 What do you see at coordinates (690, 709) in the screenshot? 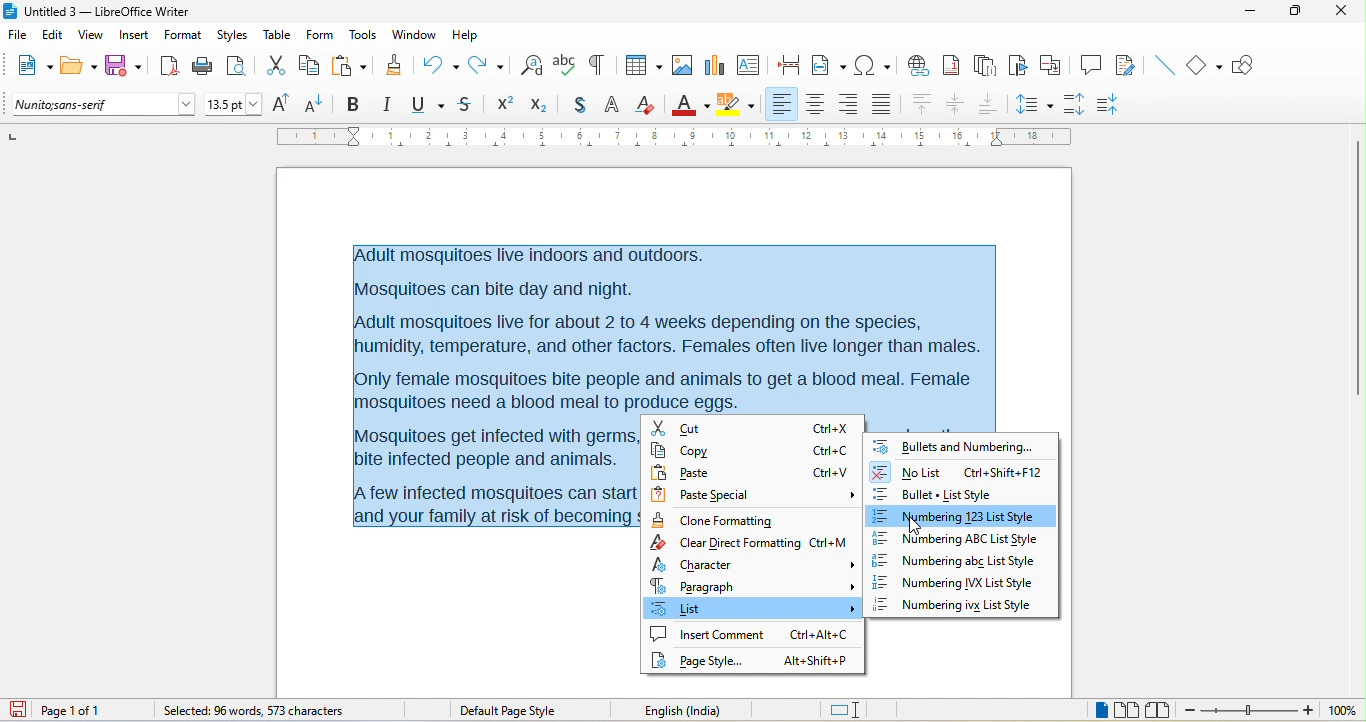
I see `English (India)` at bounding box center [690, 709].